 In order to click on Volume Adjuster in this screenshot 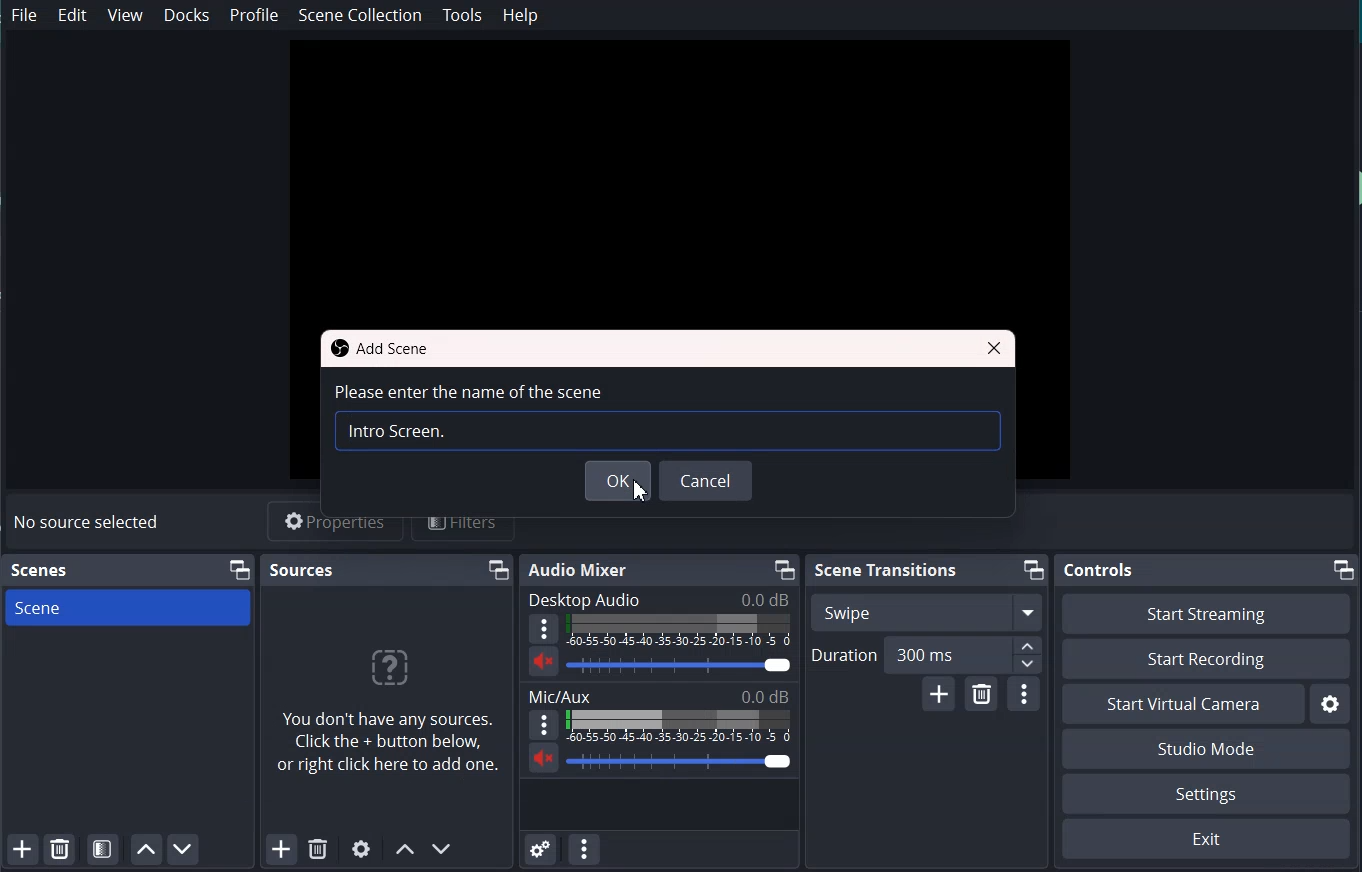, I will do `click(680, 664)`.